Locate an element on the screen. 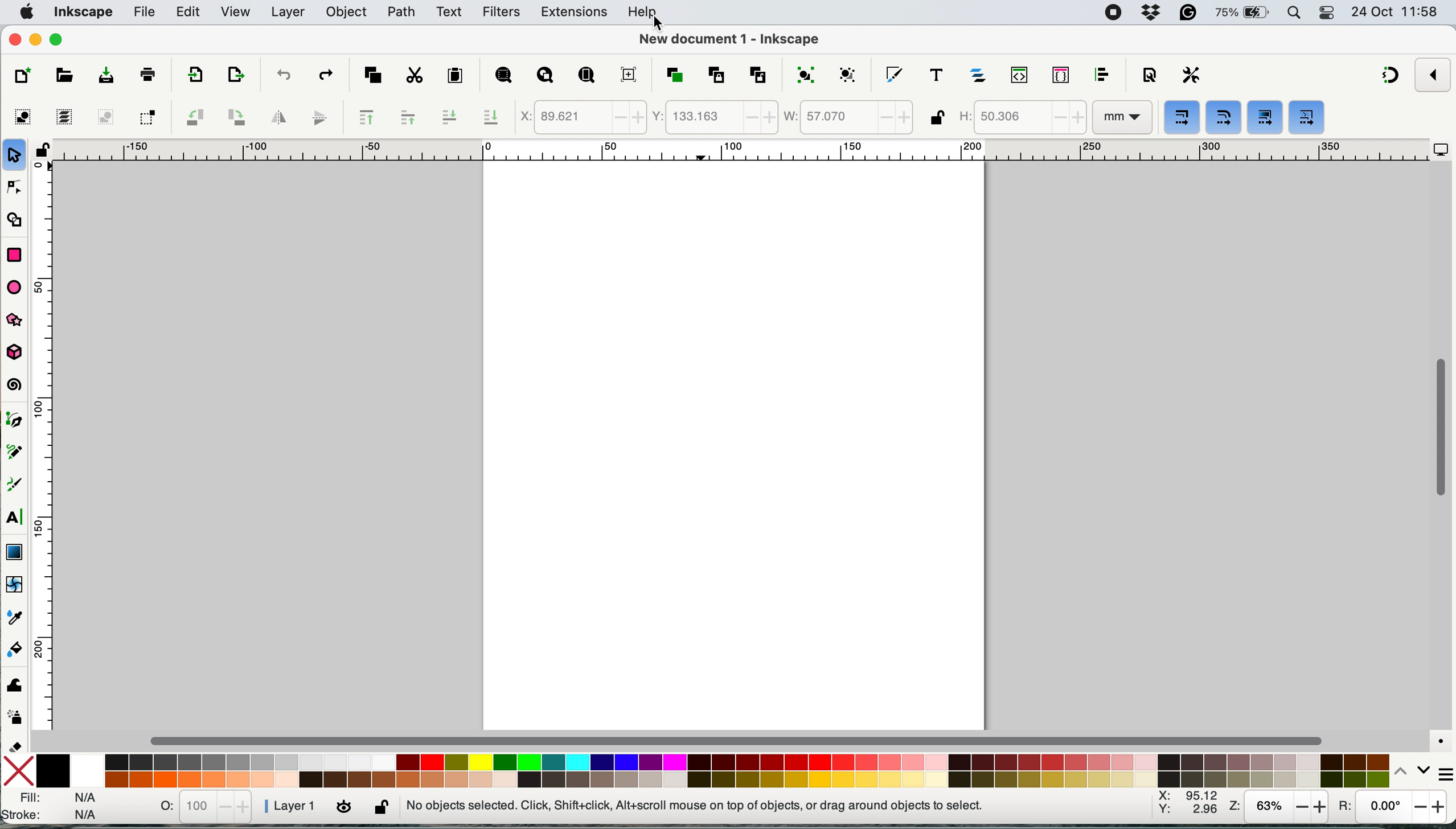 This screenshot has width=1456, height=829. close is located at coordinates (20, 42).